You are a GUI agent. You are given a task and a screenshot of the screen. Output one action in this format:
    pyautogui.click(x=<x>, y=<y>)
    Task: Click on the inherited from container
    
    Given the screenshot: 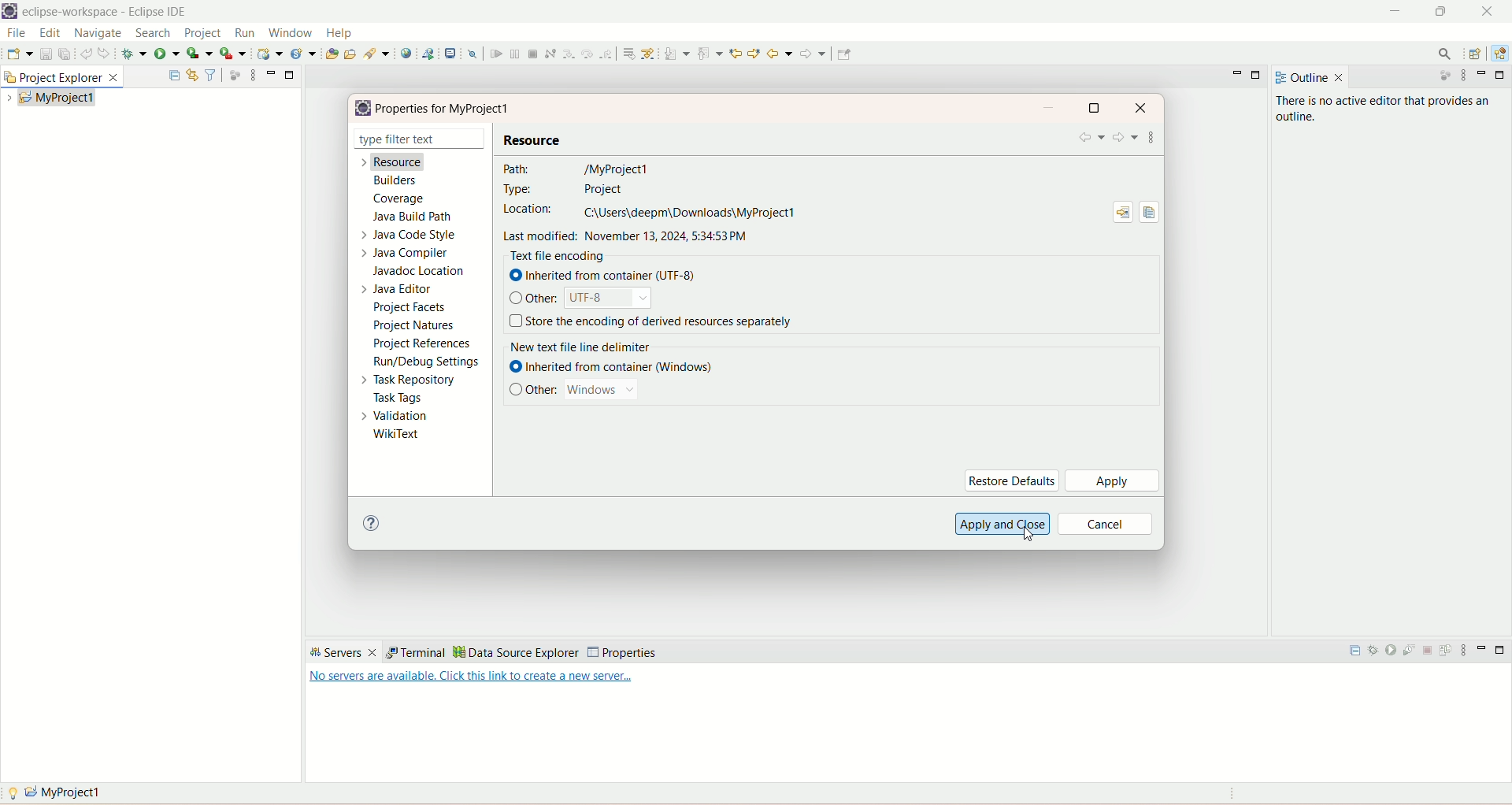 What is the action you would take?
    pyautogui.click(x=626, y=276)
    